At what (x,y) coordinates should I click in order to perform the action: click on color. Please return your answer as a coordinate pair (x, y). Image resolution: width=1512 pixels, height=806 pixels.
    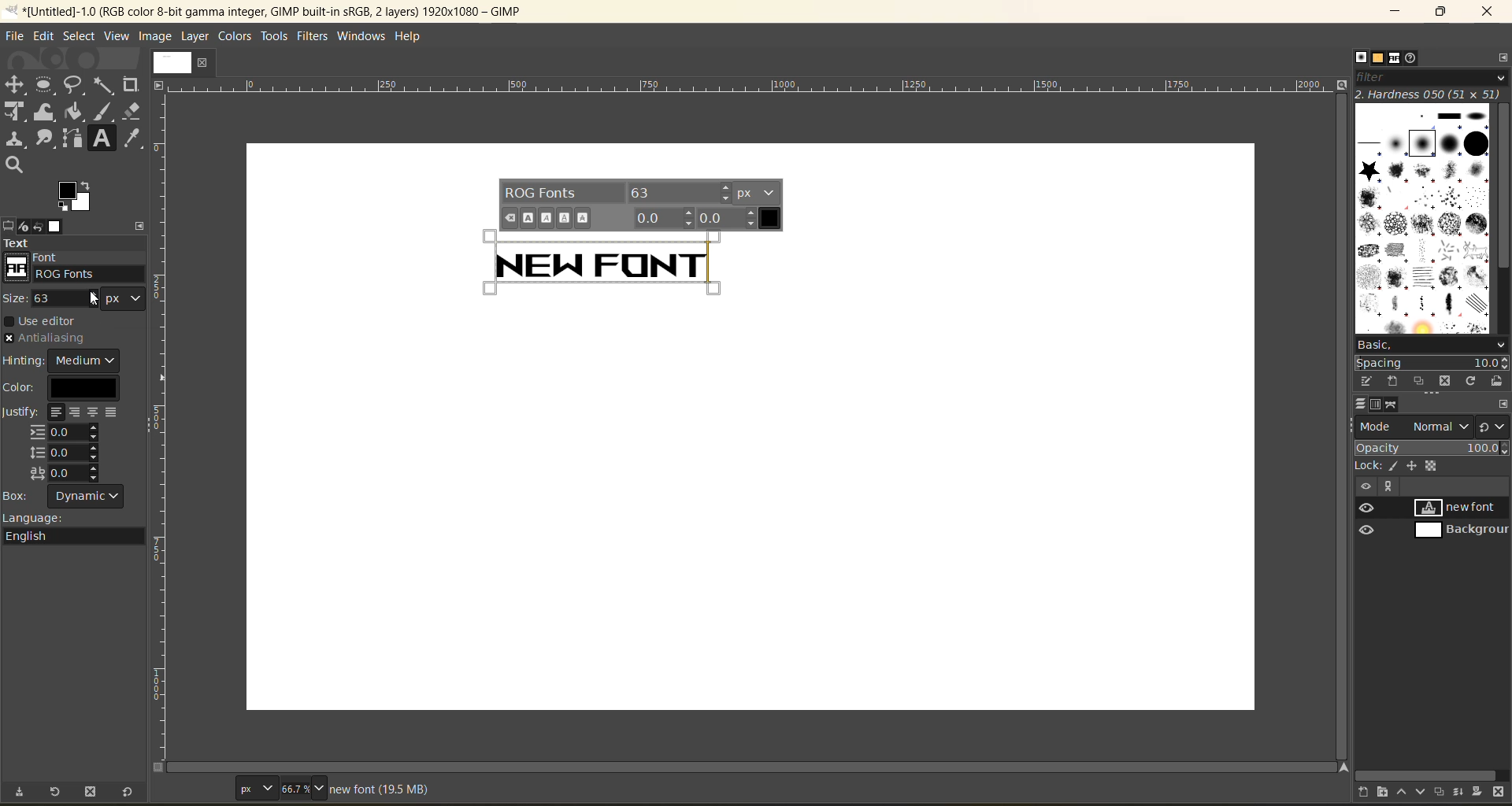
    Looking at the image, I should click on (60, 388).